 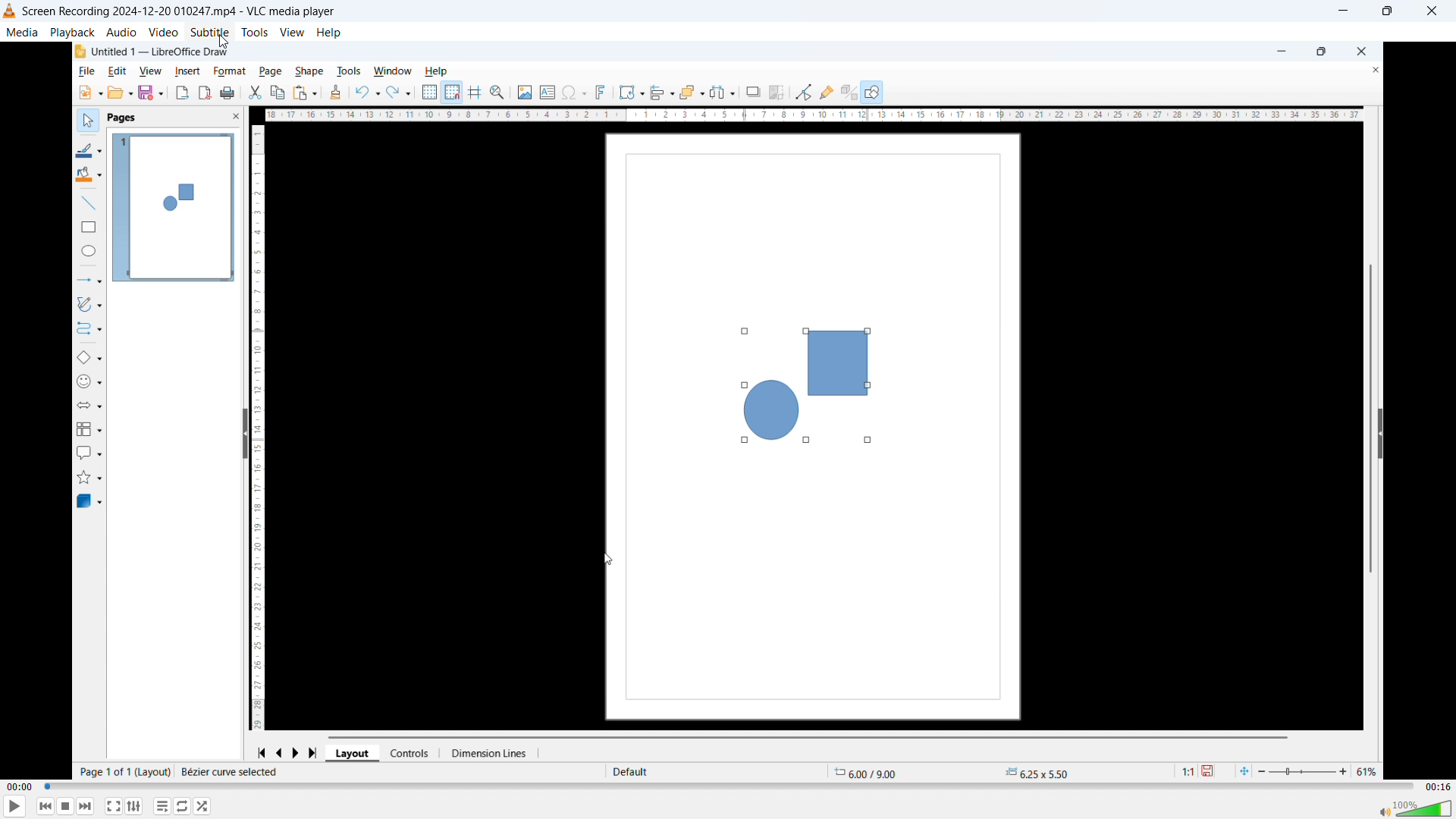 I want to click on Audio , so click(x=122, y=32).